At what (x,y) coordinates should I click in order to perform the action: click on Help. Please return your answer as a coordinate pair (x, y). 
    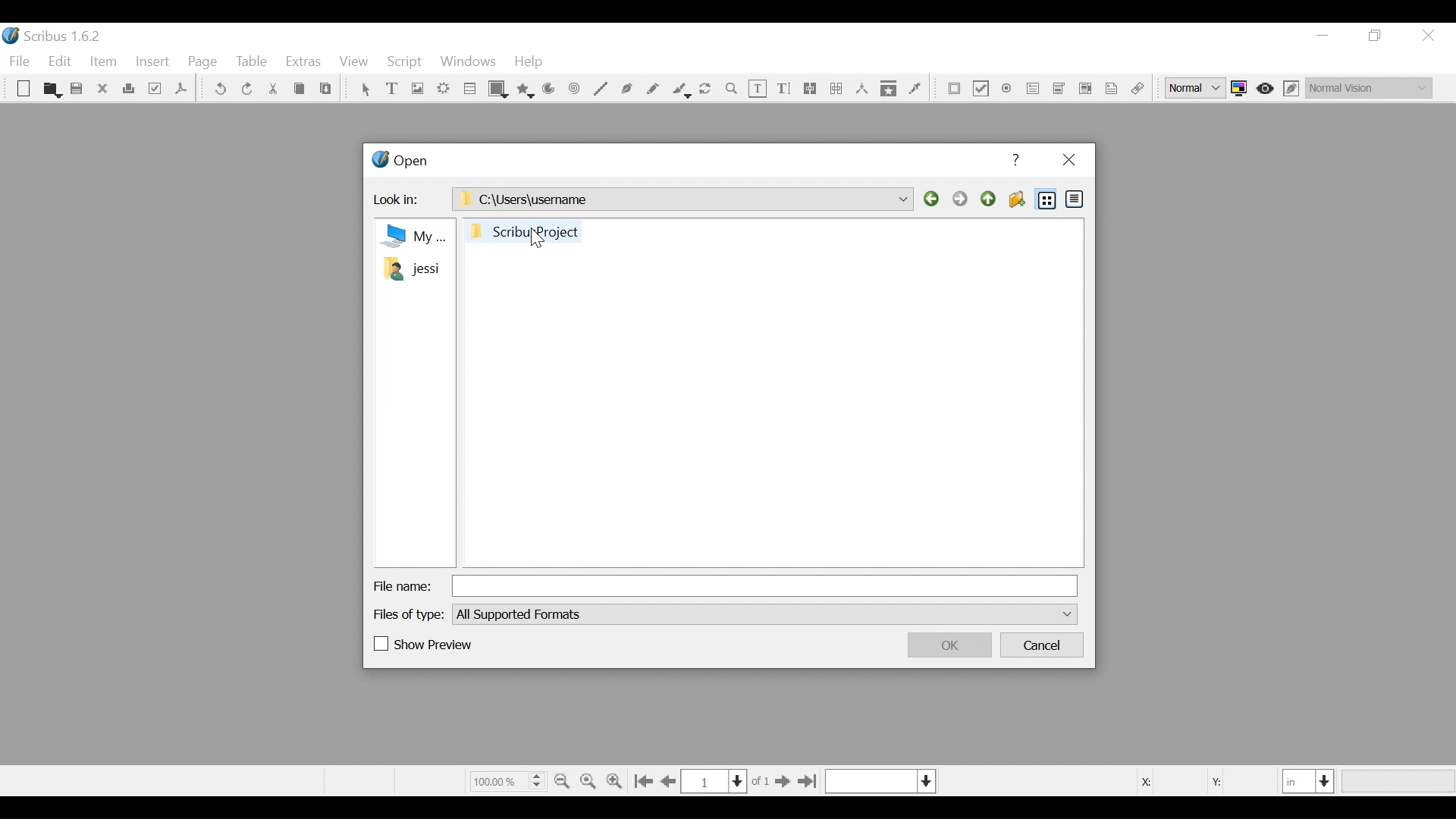
    Looking at the image, I should click on (529, 63).